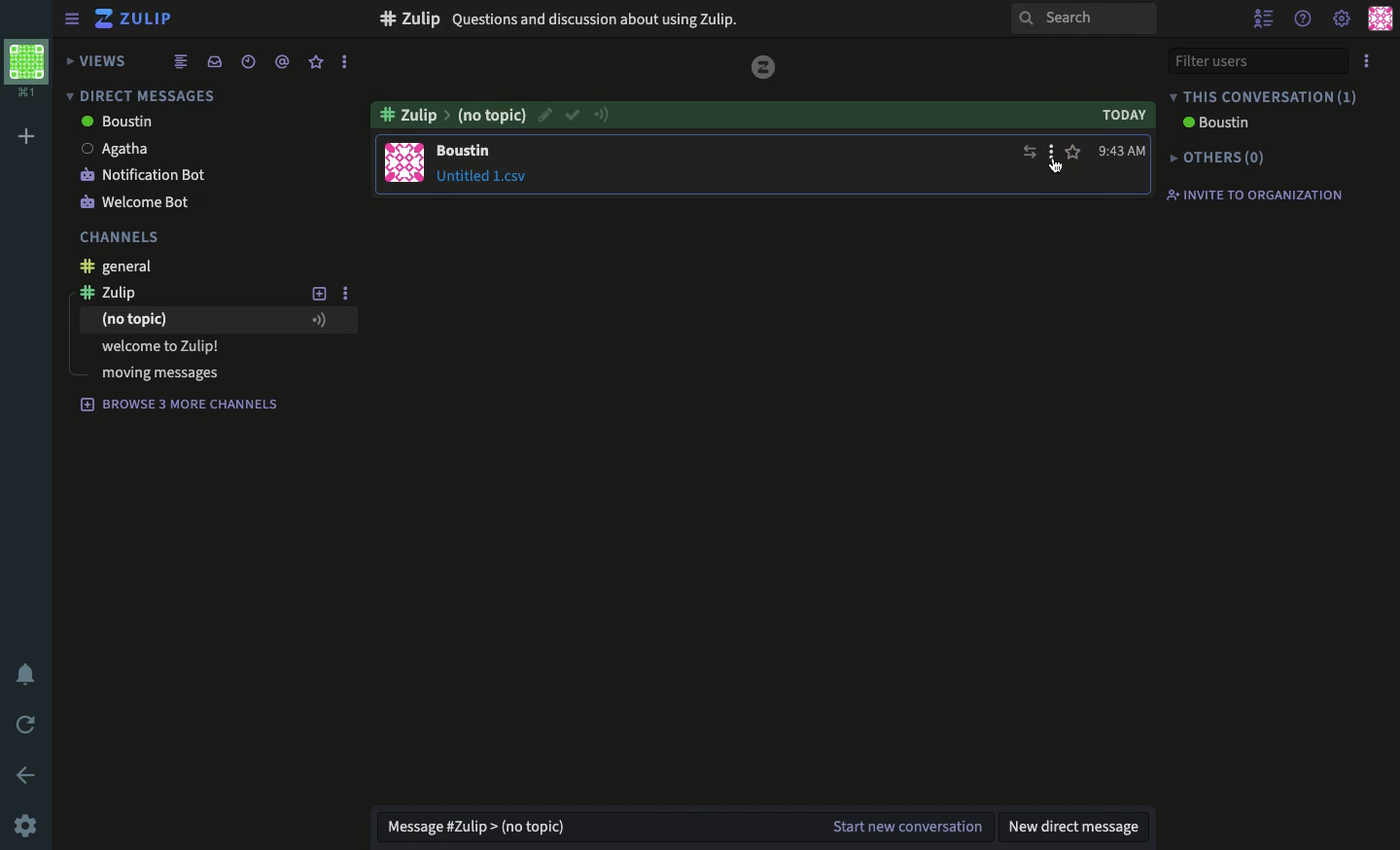 Image resolution: width=1400 pixels, height=850 pixels. Describe the element at coordinates (544, 114) in the screenshot. I see `edit` at that location.